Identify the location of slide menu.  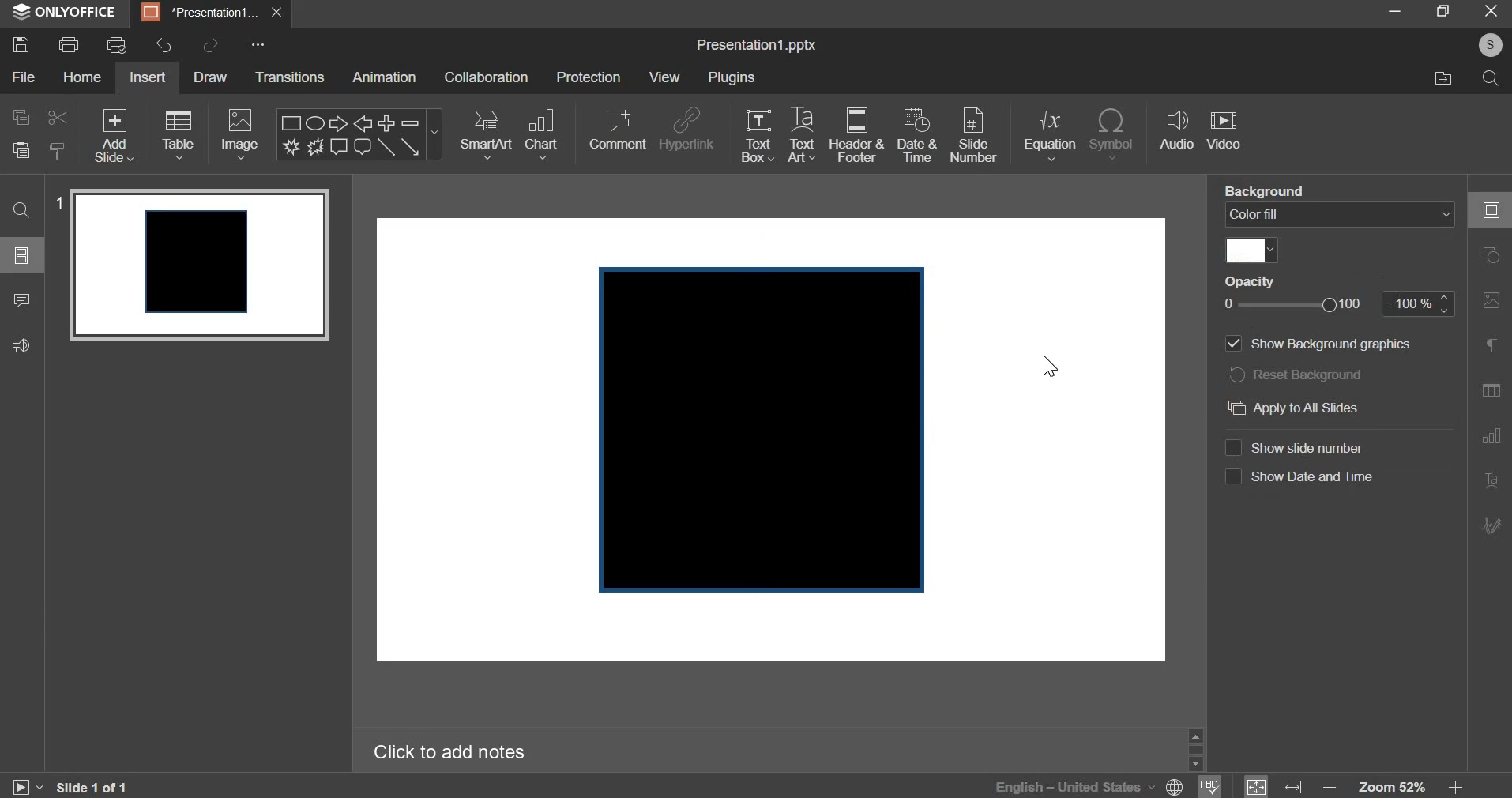
(23, 254).